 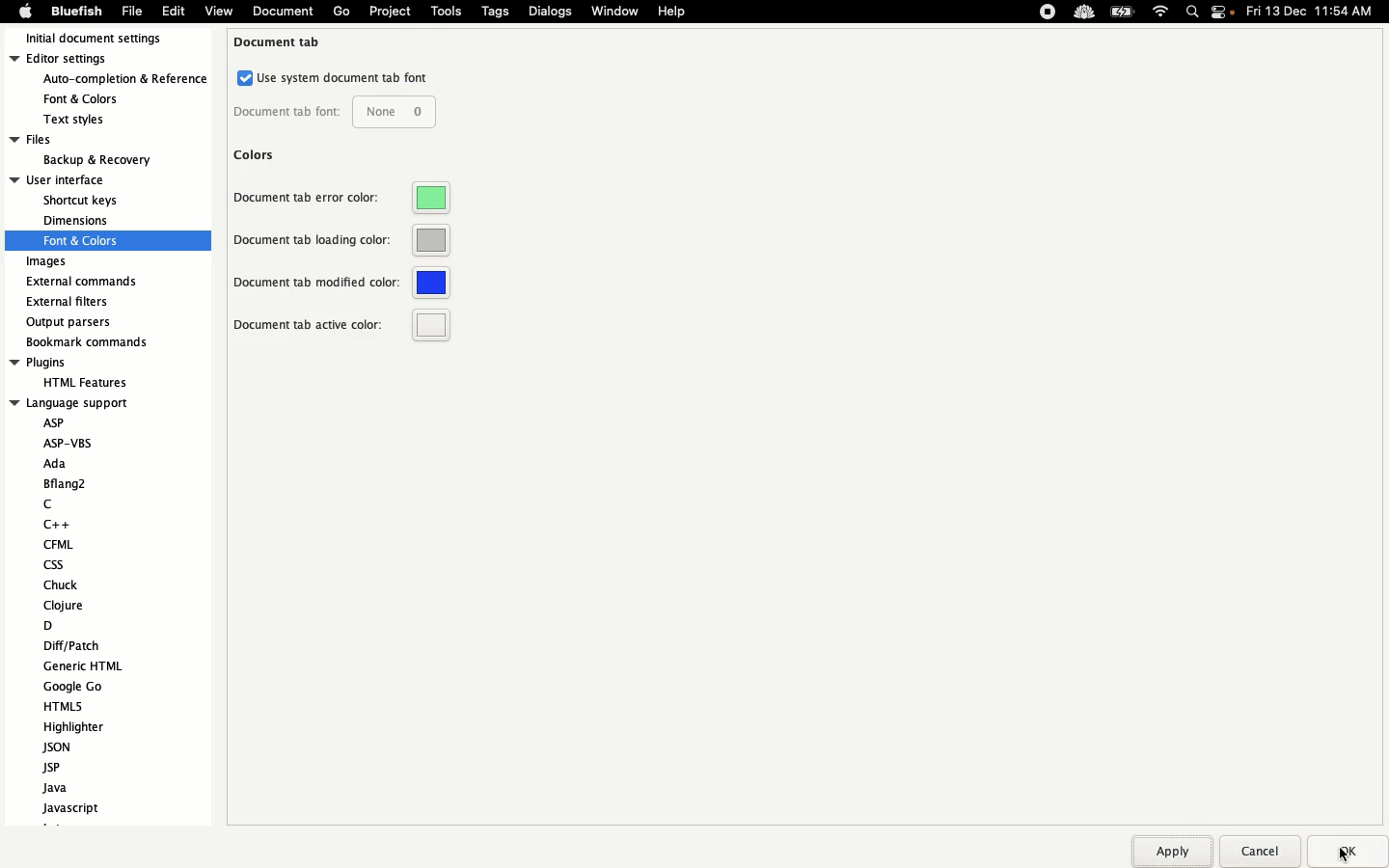 What do you see at coordinates (257, 154) in the screenshot?
I see `Colors ` at bounding box center [257, 154].